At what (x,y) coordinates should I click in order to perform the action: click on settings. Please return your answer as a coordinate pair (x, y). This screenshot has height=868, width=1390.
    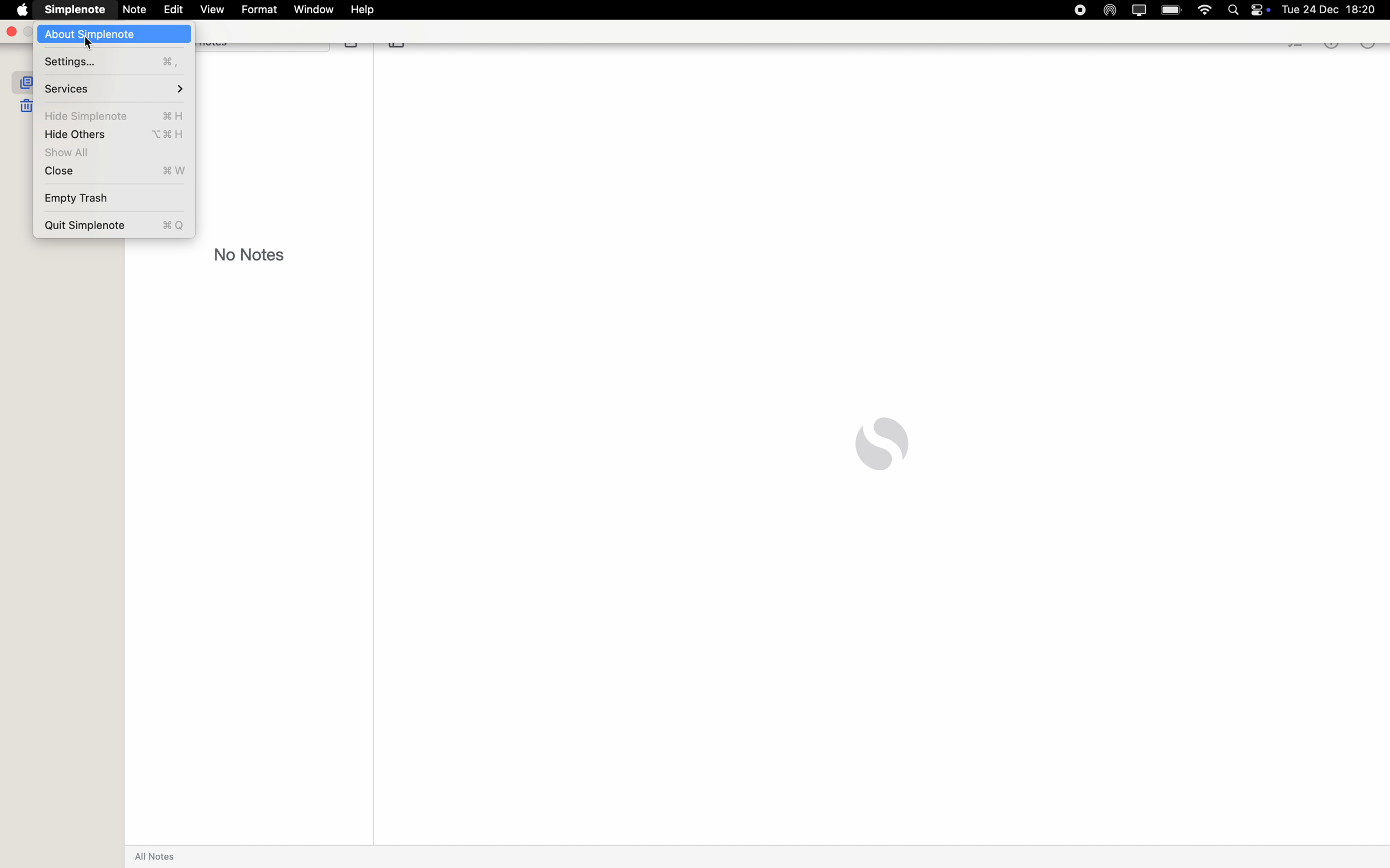
    Looking at the image, I should click on (115, 63).